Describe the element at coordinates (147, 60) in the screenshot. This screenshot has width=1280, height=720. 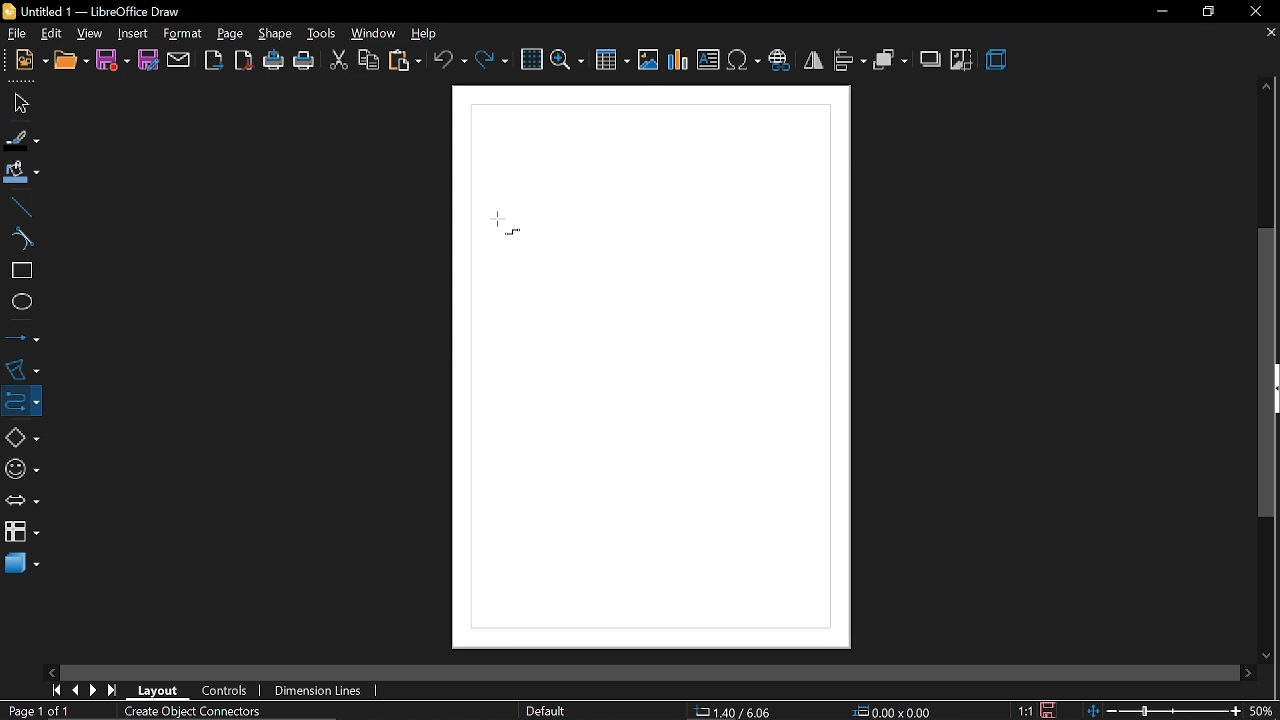
I see `save as` at that location.